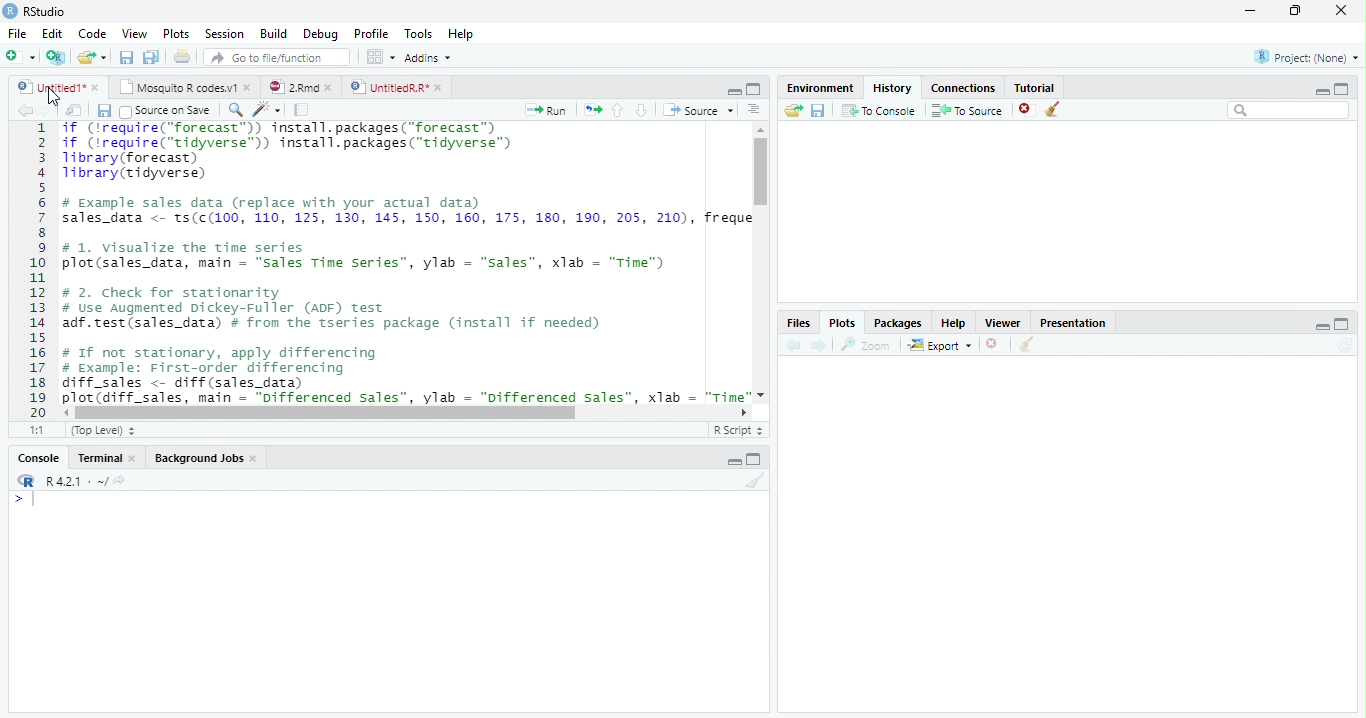 The image size is (1366, 718). Describe the element at coordinates (801, 323) in the screenshot. I see `Files` at that location.